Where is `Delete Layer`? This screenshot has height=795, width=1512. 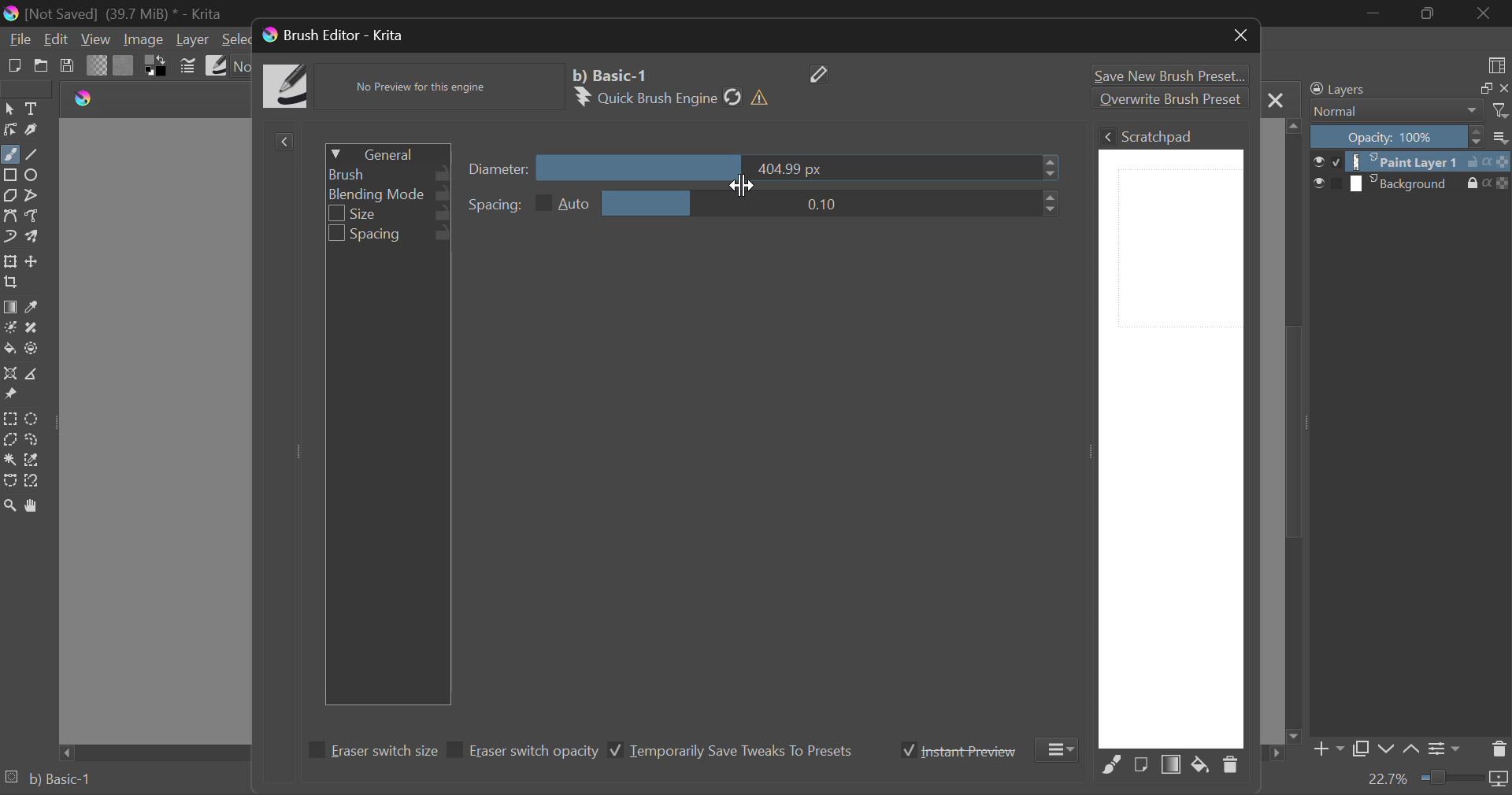
Delete Layer is located at coordinates (1499, 748).